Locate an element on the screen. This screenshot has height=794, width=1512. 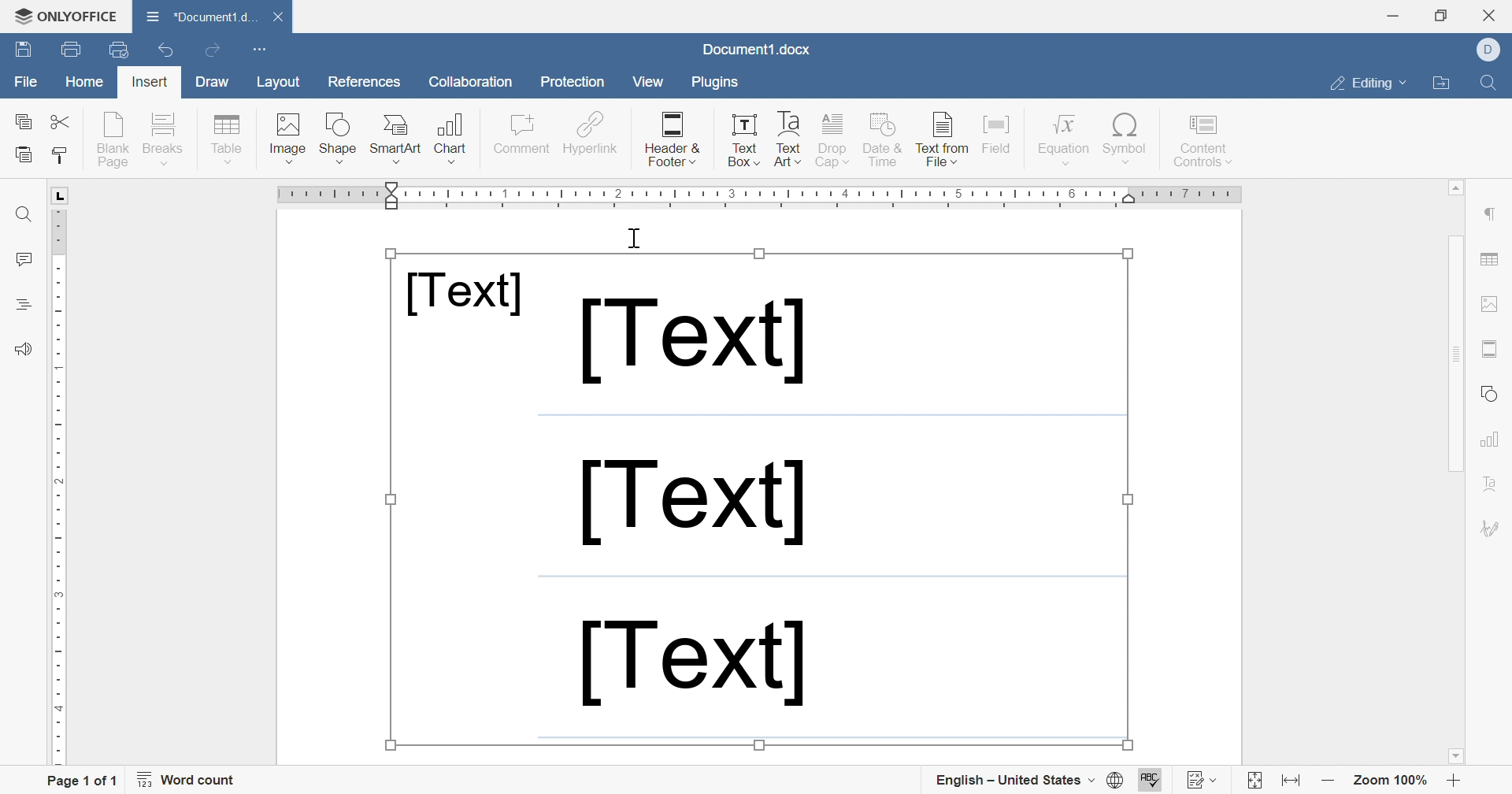
Paragraph settings is located at coordinates (1490, 214).